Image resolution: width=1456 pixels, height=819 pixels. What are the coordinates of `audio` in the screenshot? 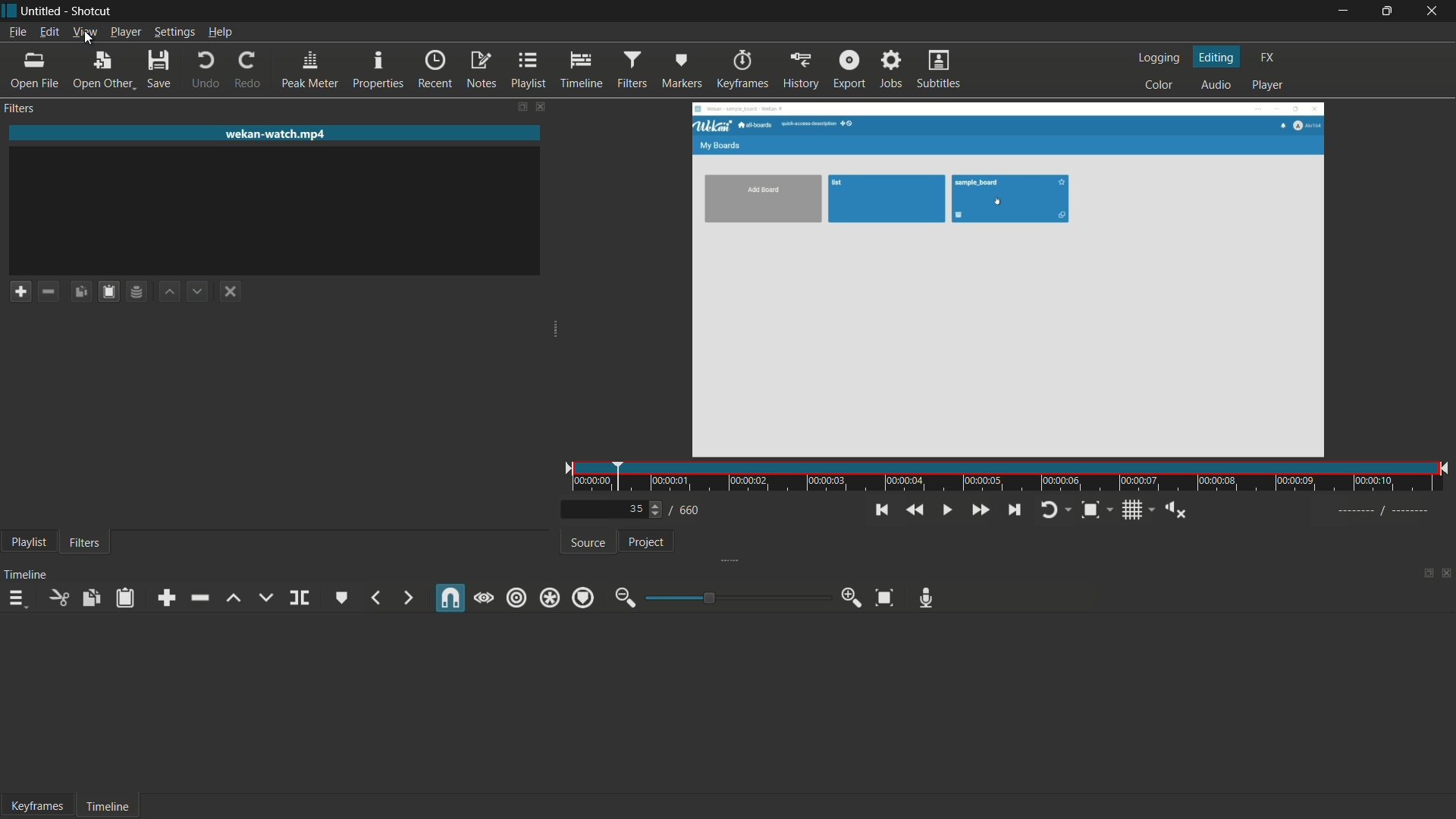 It's located at (1213, 86).